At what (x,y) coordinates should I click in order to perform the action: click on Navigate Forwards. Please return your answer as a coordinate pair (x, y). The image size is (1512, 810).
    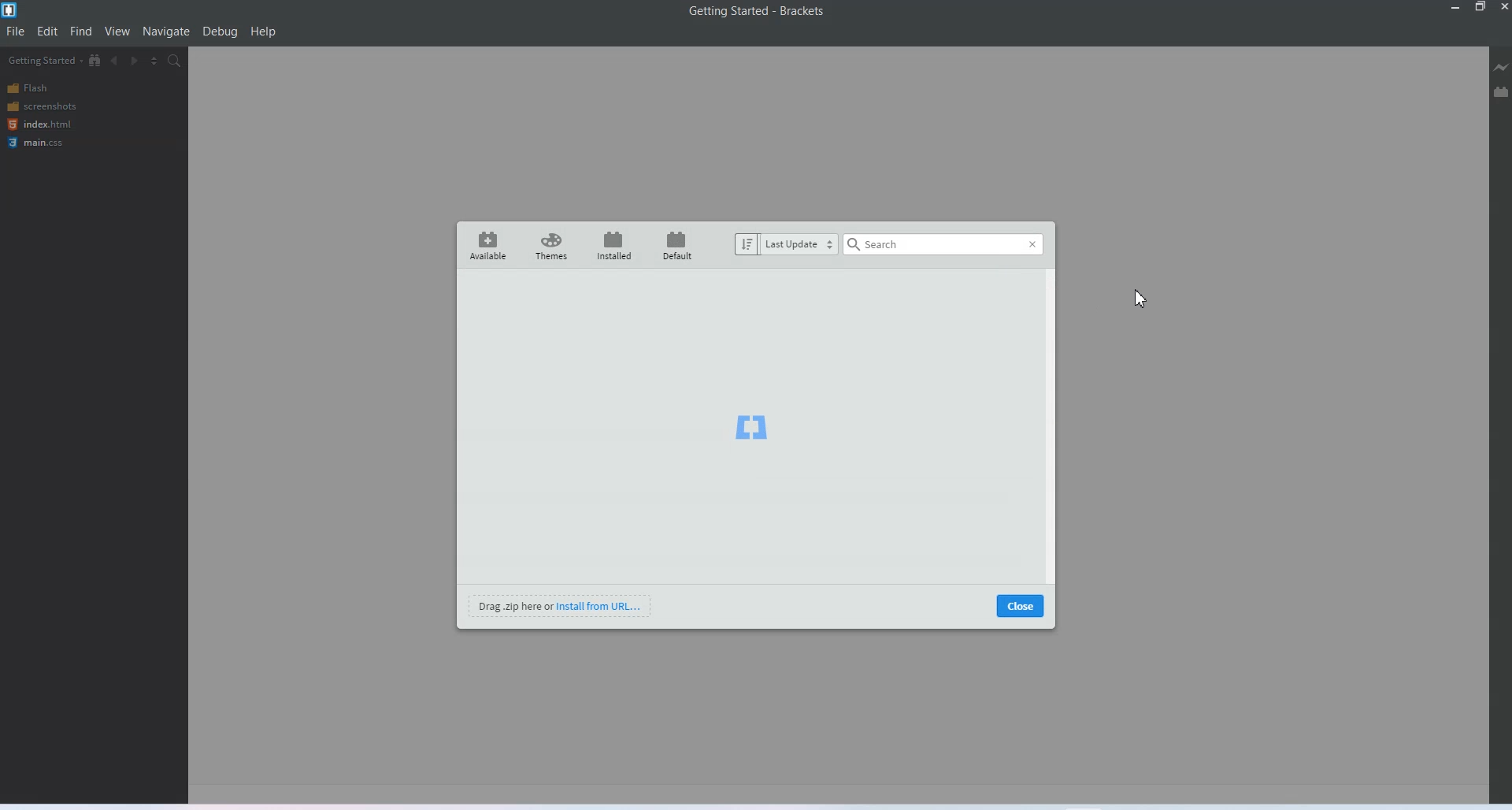
    Looking at the image, I should click on (136, 61).